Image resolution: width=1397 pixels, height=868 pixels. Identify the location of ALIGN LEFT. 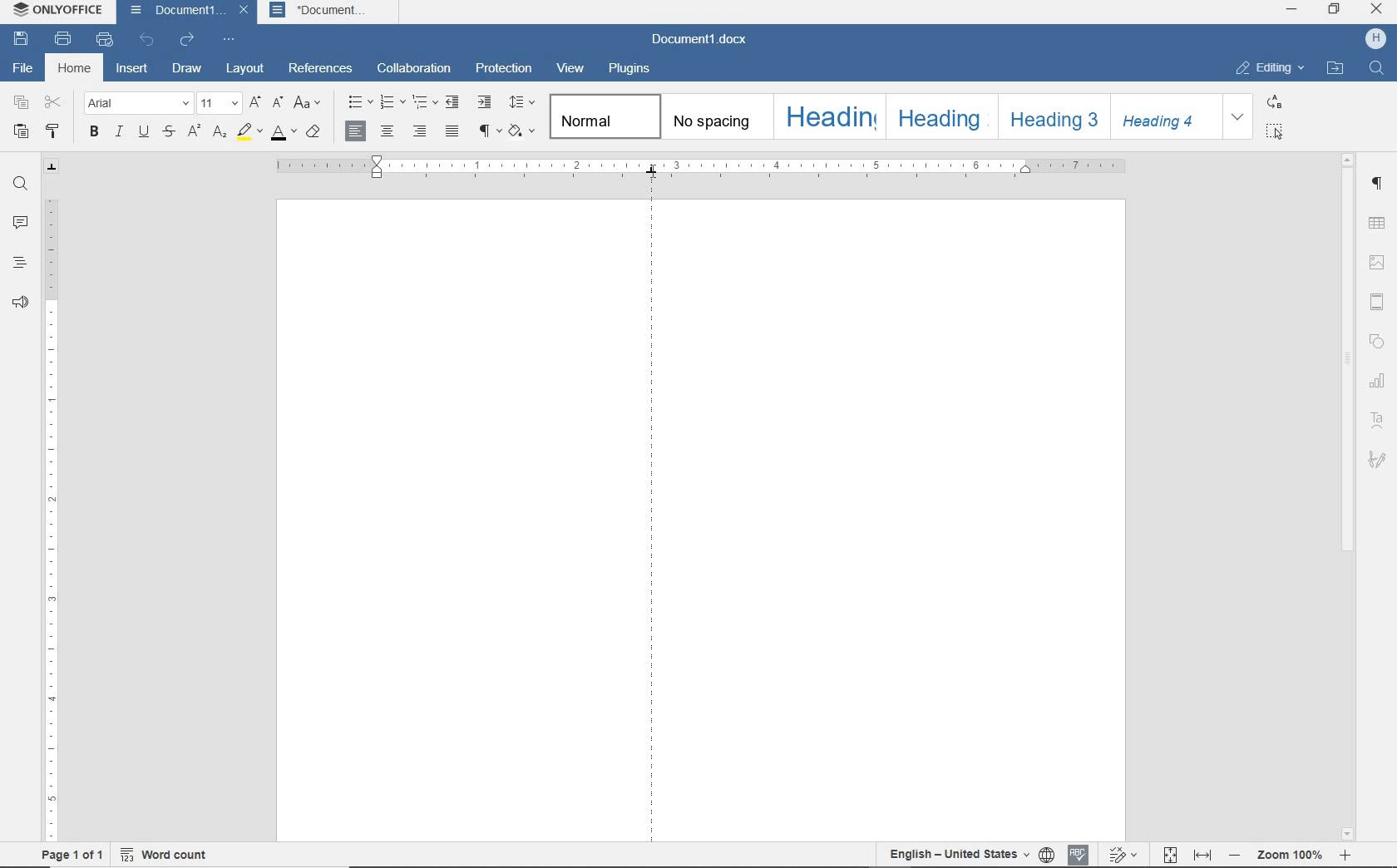
(357, 131).